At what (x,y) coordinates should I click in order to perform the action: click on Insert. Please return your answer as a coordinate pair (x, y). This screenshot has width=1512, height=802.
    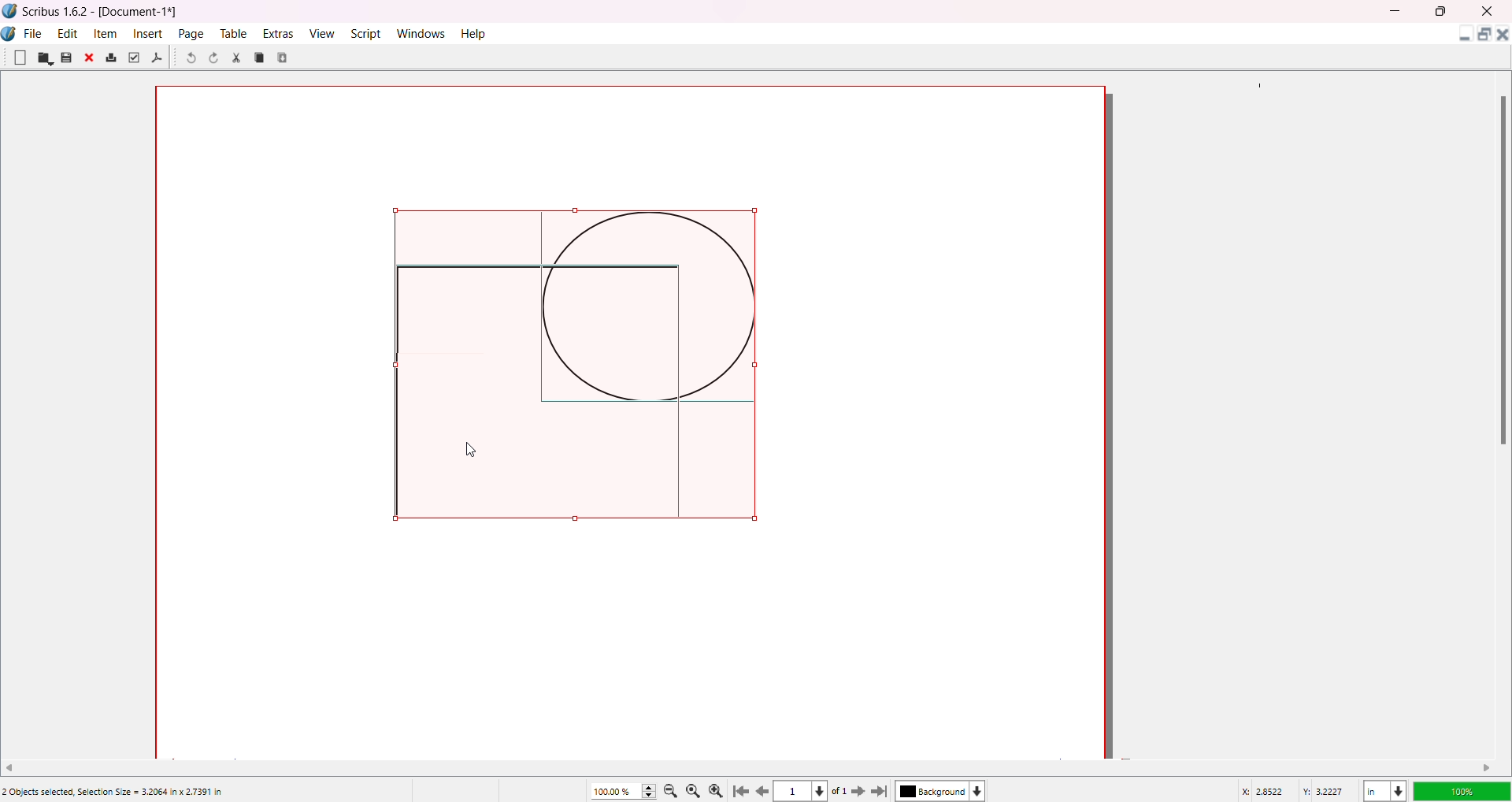
    Looking at the image, I should click on (150, 33).